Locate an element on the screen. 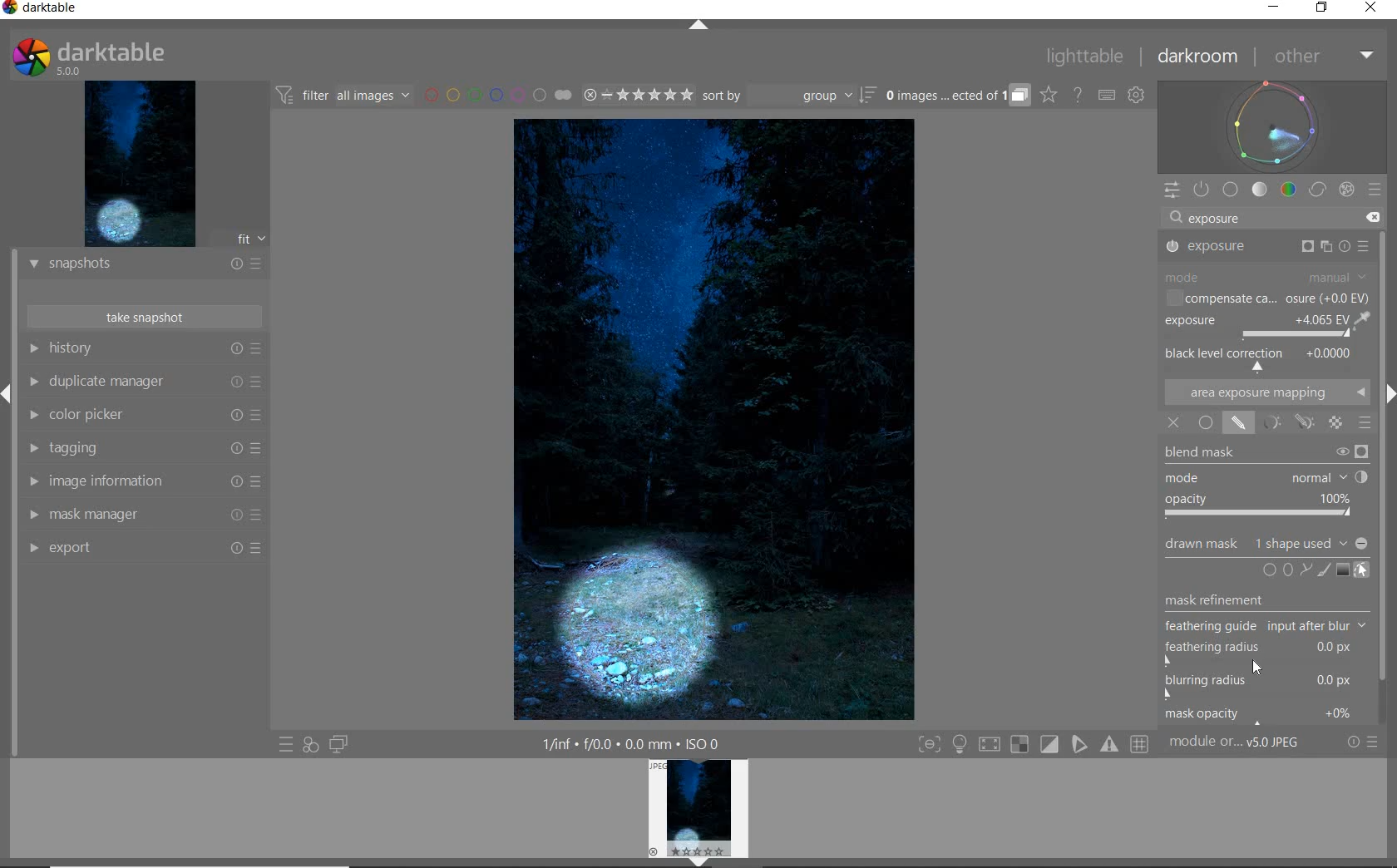  COLOR is located at coordinates (1291, 190).